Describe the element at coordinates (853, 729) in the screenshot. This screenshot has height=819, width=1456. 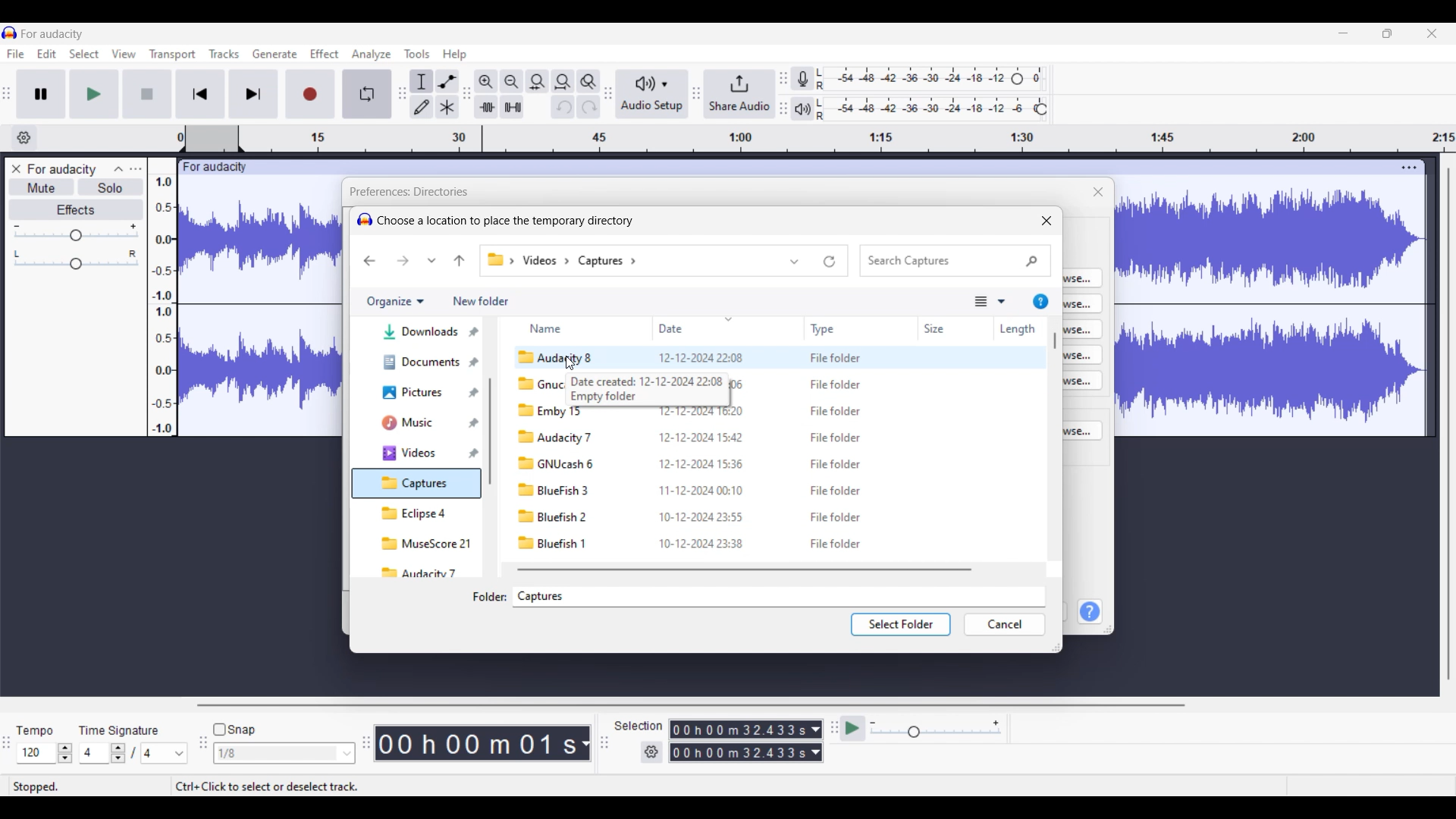
I see `Play at speed/Play at speed once` at that location.